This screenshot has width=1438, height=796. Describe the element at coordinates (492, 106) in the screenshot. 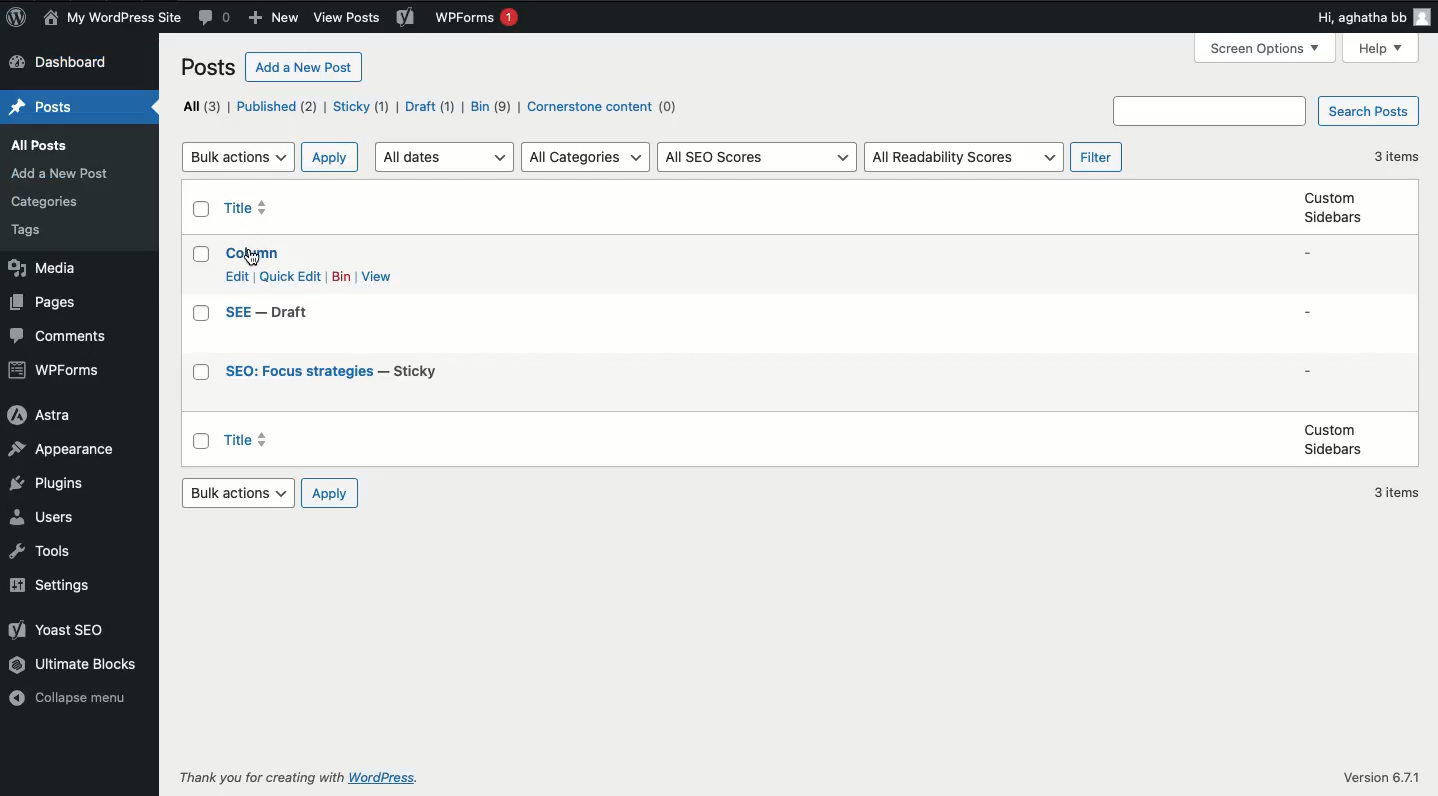

I see `Bin` at that location.